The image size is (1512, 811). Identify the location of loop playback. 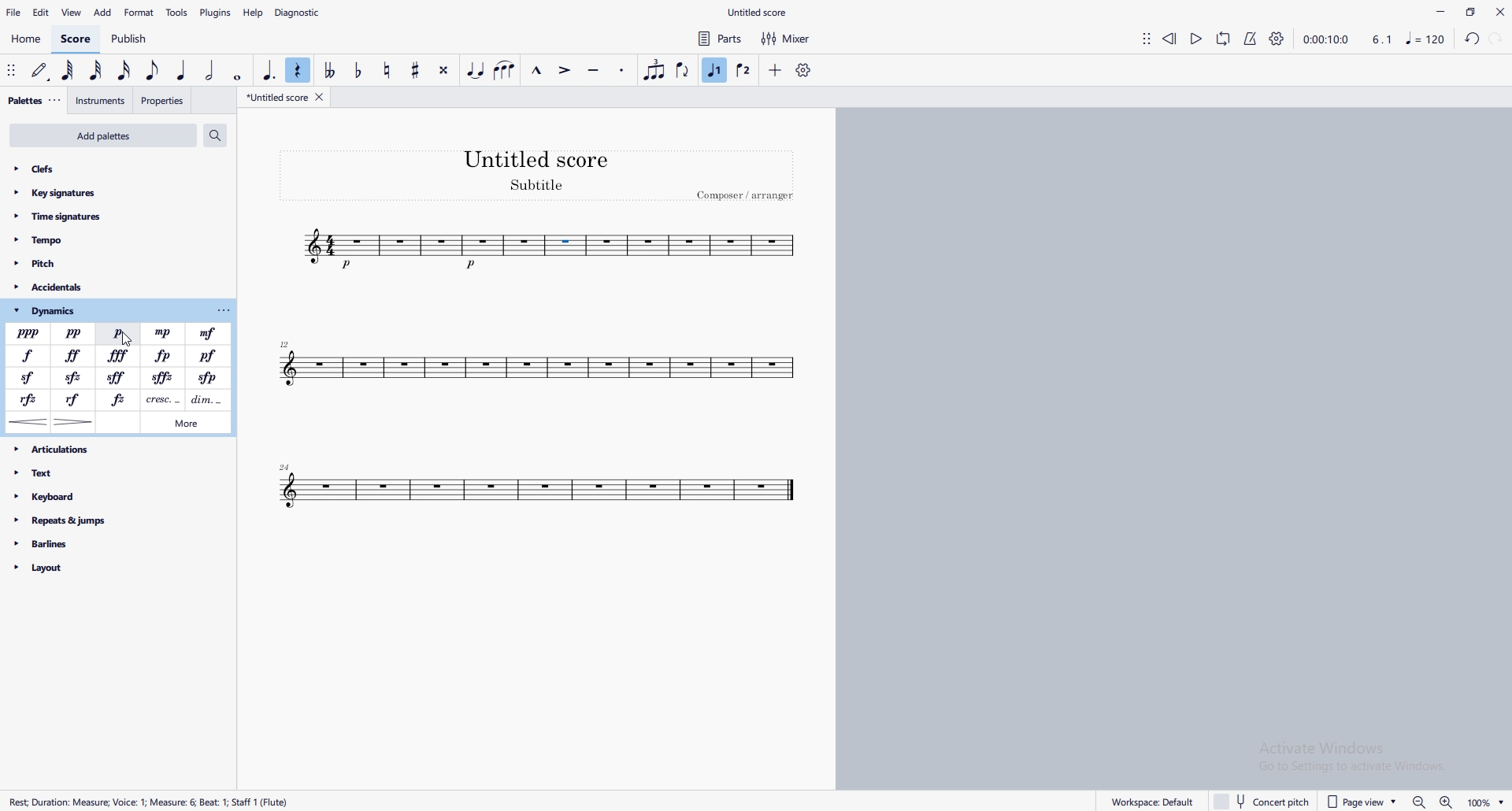
(1222, 38).